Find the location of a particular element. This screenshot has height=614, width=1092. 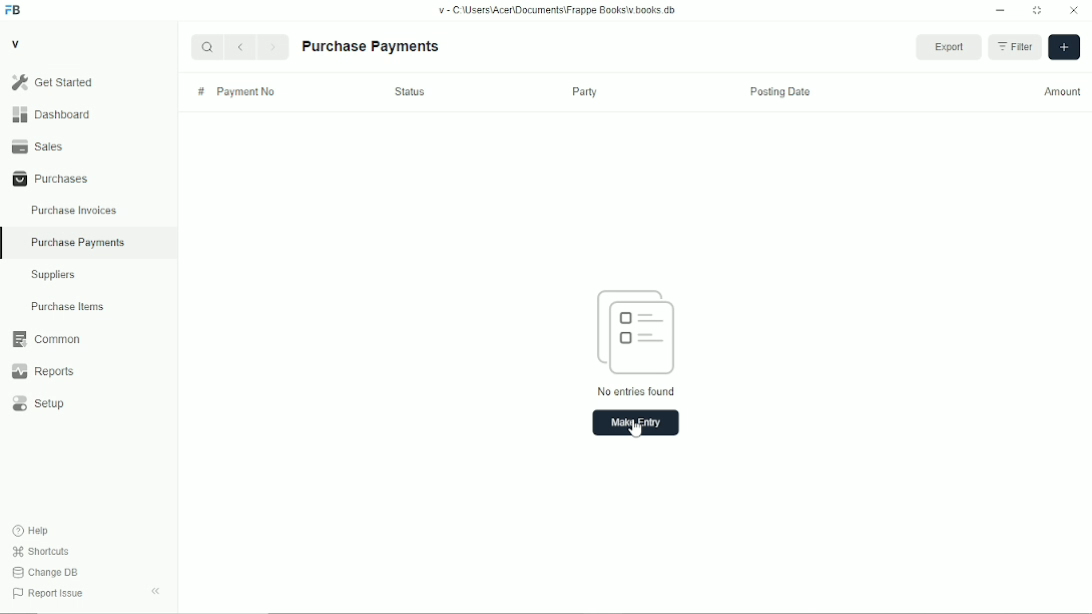

Purchase Items is located at coordinates (88, 306).